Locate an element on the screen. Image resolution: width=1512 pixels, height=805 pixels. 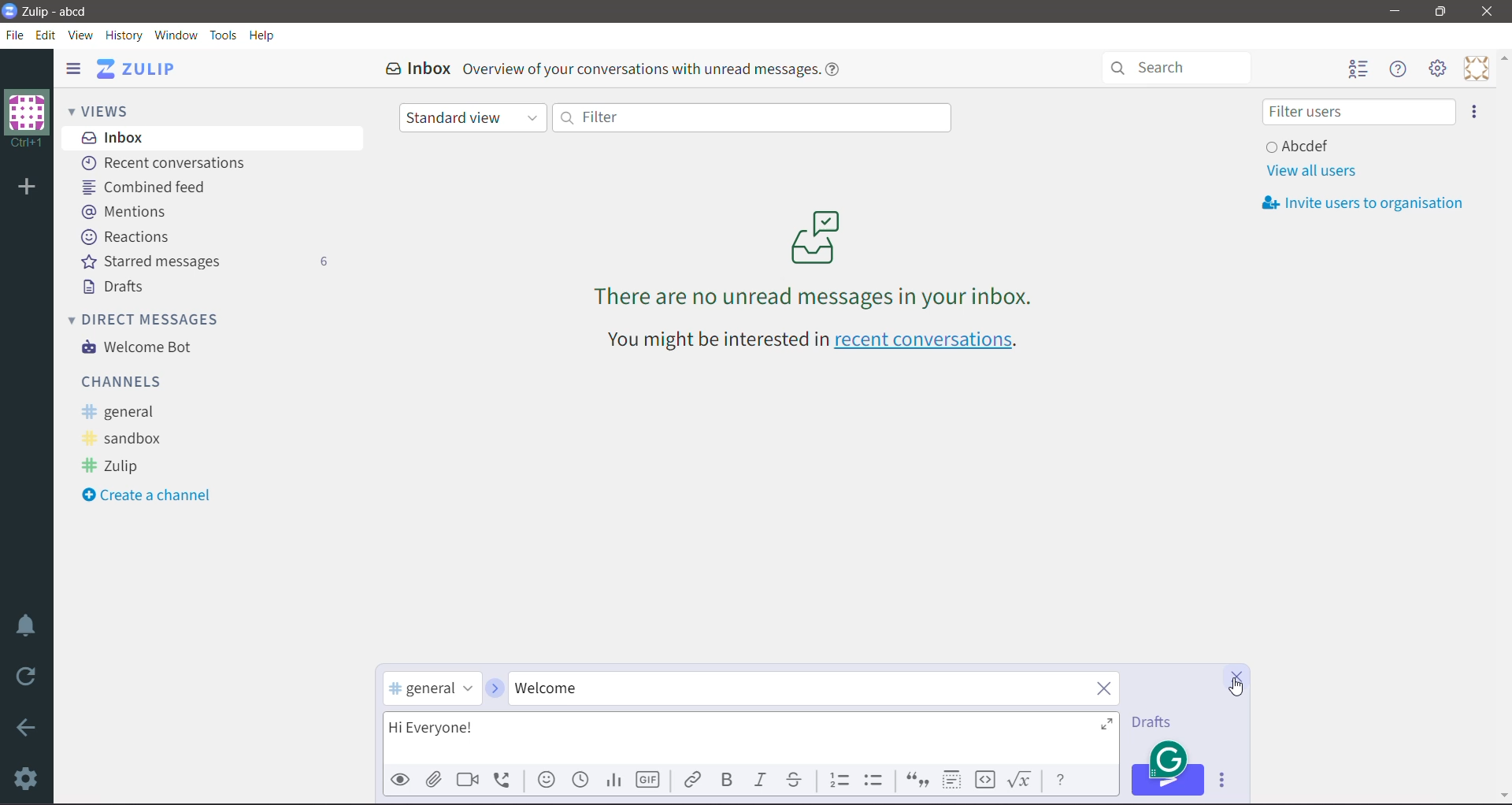
Strikethrough is located at coordinates (795, 780).